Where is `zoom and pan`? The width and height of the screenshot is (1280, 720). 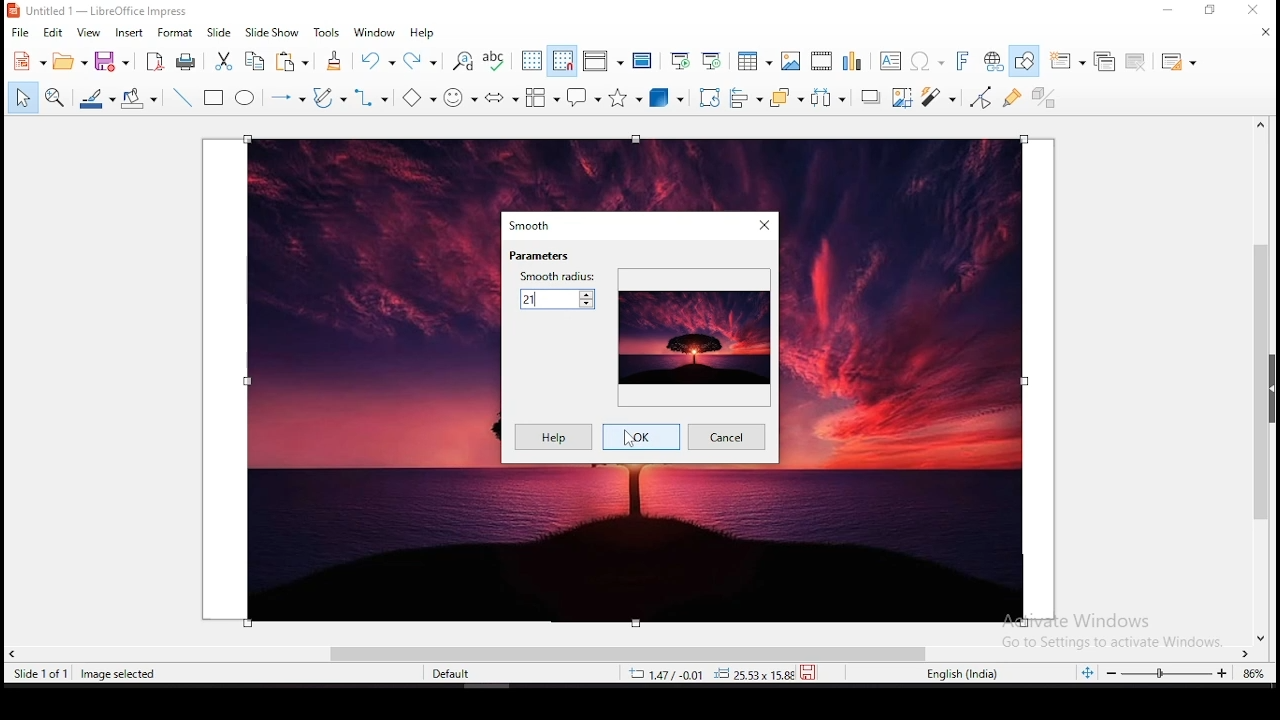 zoom and pan is located at coordinates (55, 95).